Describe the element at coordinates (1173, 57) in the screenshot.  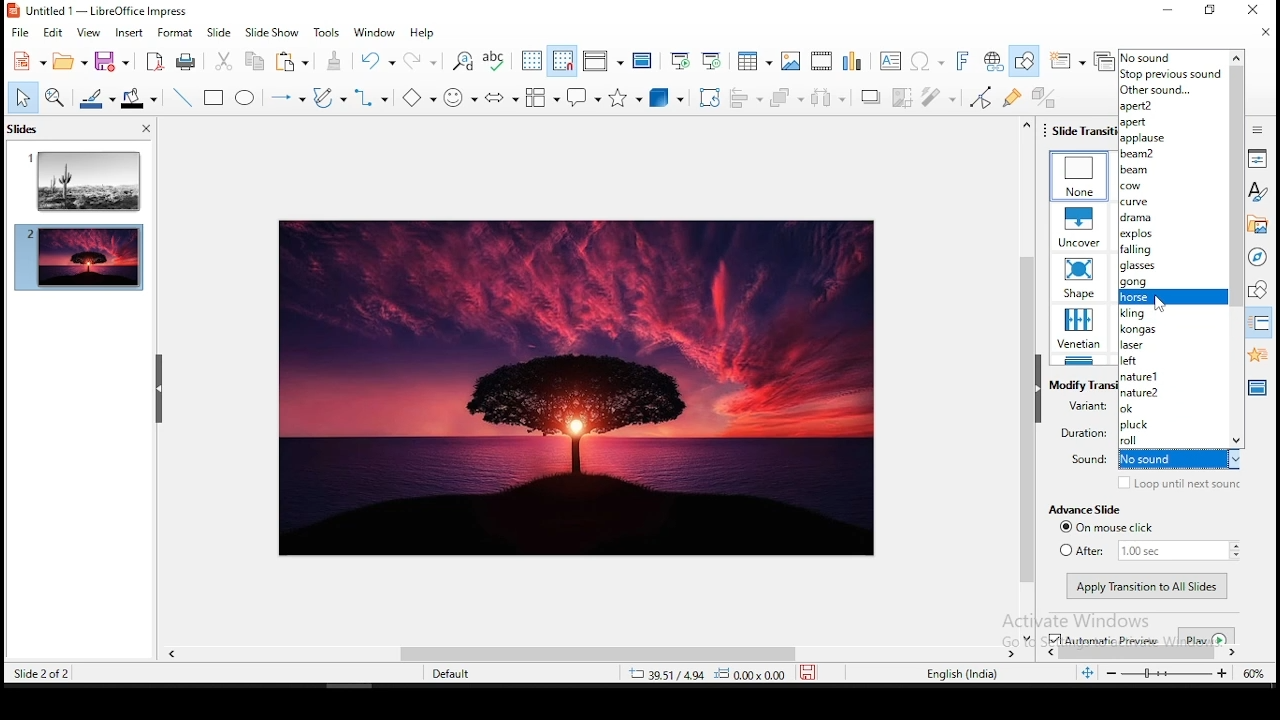
I see `no sound` at that location.